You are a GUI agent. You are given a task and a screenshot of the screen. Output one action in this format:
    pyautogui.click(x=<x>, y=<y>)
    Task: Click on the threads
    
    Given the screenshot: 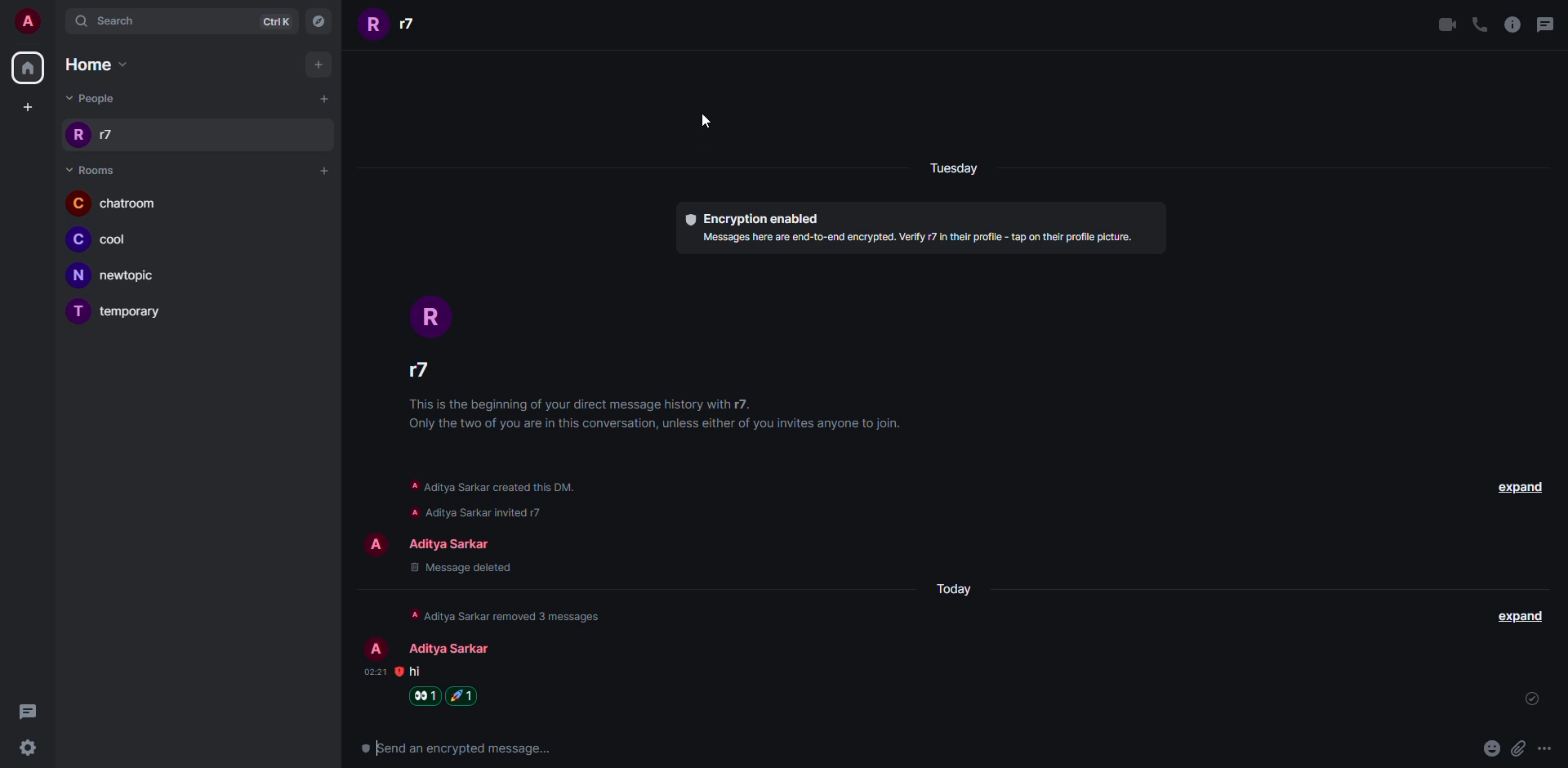 What is the action you would take?
    pyautogui.click(x=36, y=711)
    